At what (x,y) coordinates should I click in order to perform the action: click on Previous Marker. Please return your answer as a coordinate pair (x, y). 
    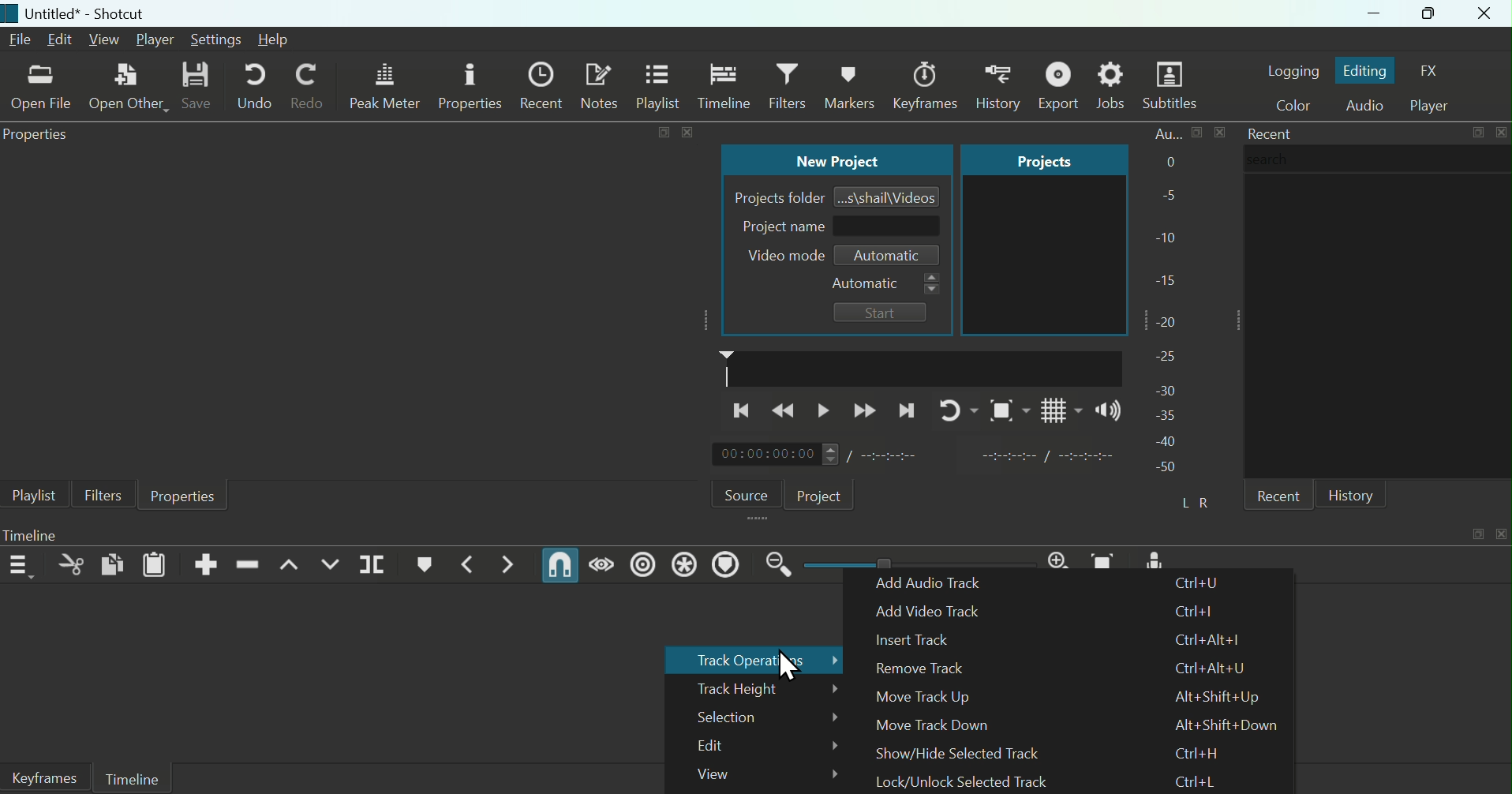
    Looking at the image, I should click on (472, 564).